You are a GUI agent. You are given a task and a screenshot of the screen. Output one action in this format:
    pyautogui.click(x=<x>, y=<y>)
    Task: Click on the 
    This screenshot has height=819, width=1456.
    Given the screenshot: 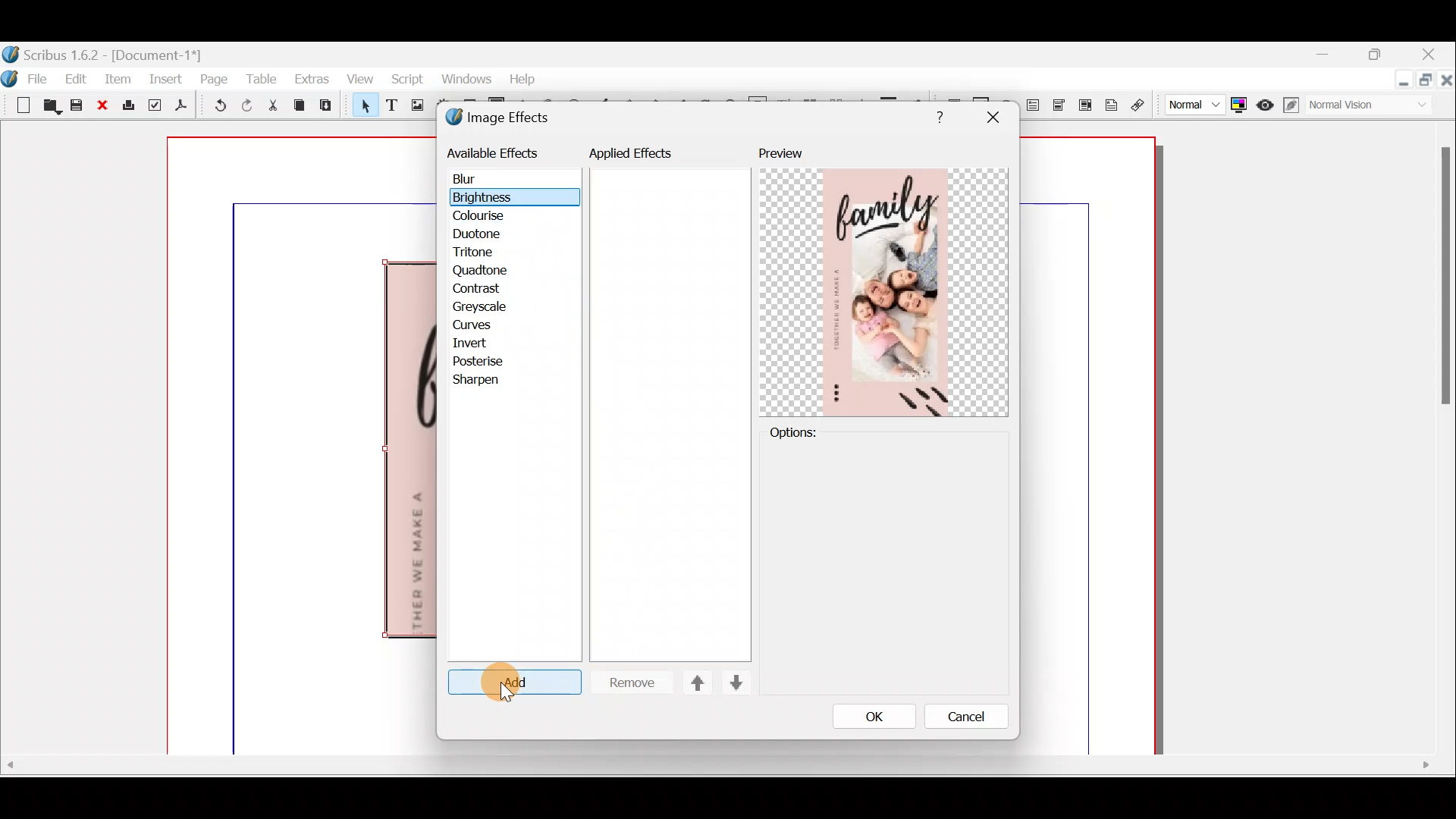 What is the action you would take?
    pyautogui.click(x=1442, y=283)
    